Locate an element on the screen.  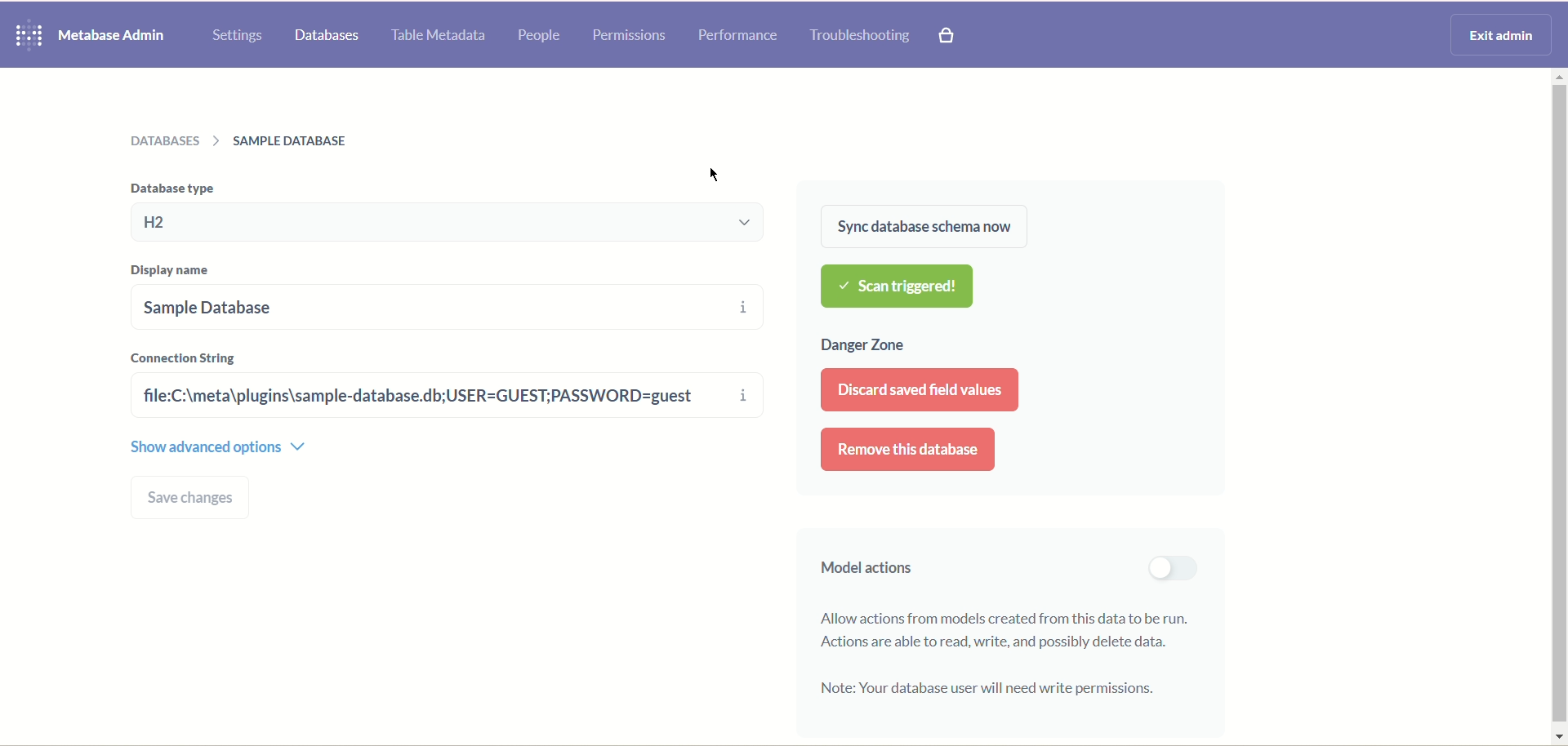
re-scan field values now is located at coordinates (917, 287).